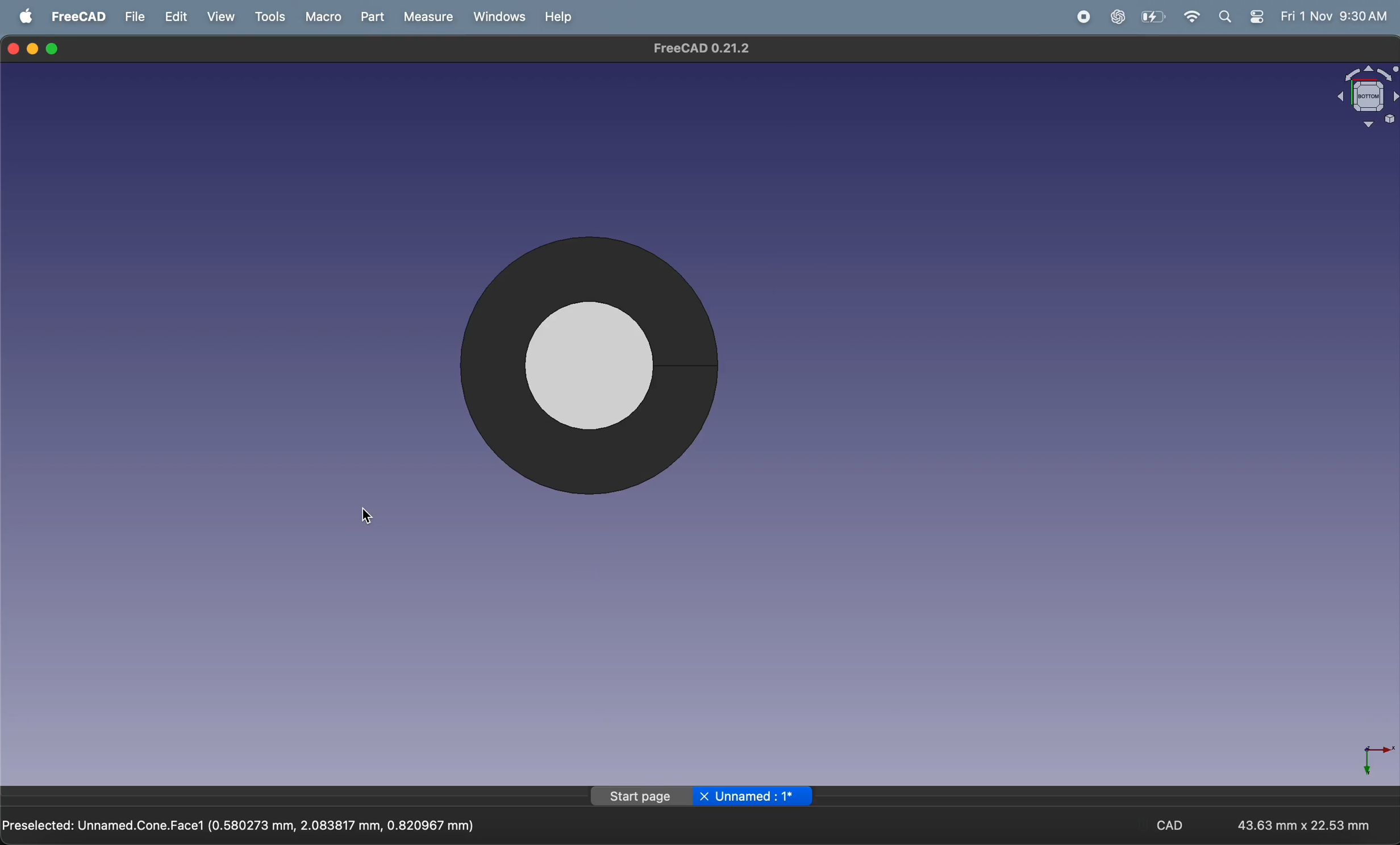 The width and height of the screenshot is (1400, 845). I want to click on edit, so click(179, 16).